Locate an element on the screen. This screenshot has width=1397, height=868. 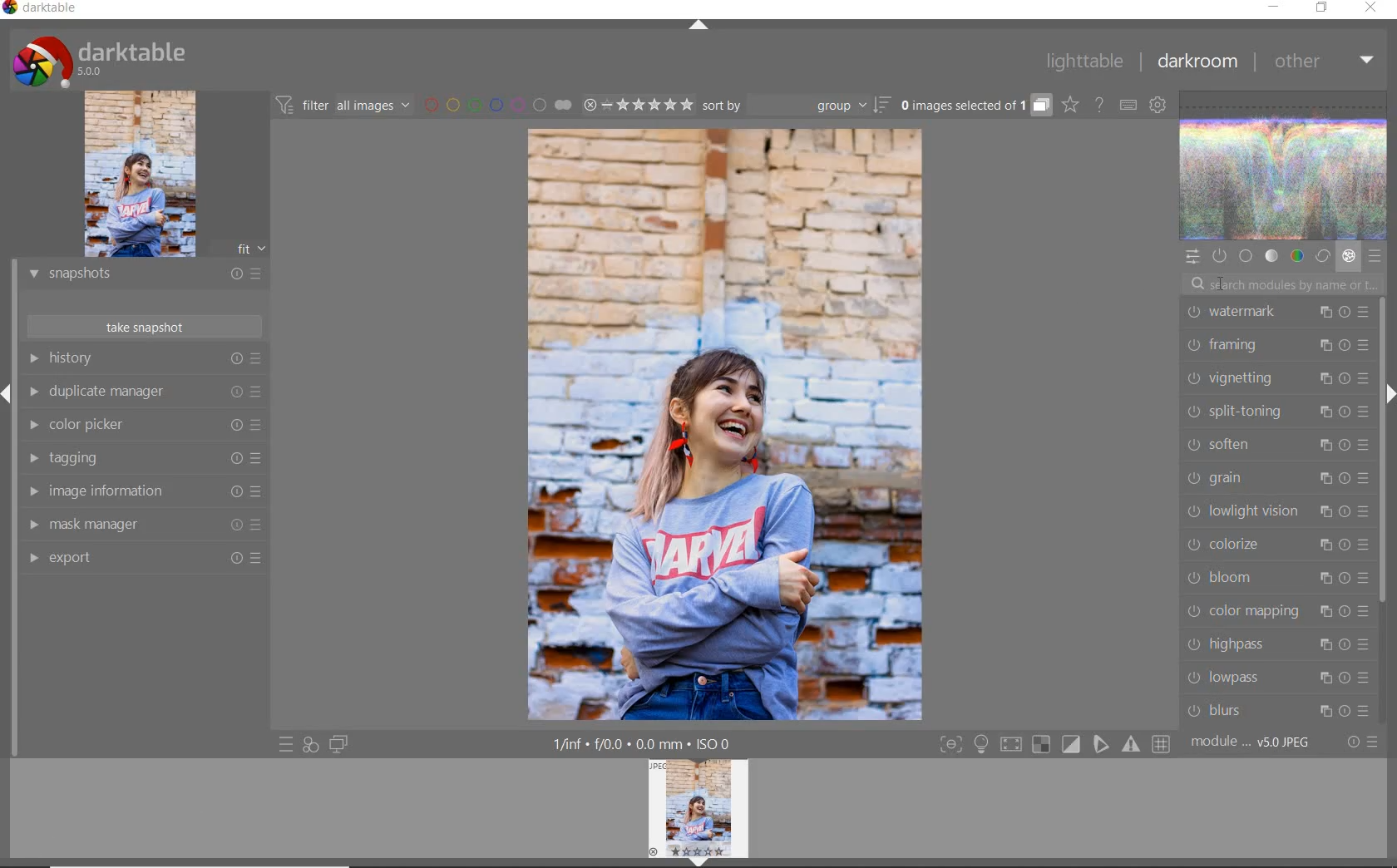
selected image is located at coordinates (726, 427).